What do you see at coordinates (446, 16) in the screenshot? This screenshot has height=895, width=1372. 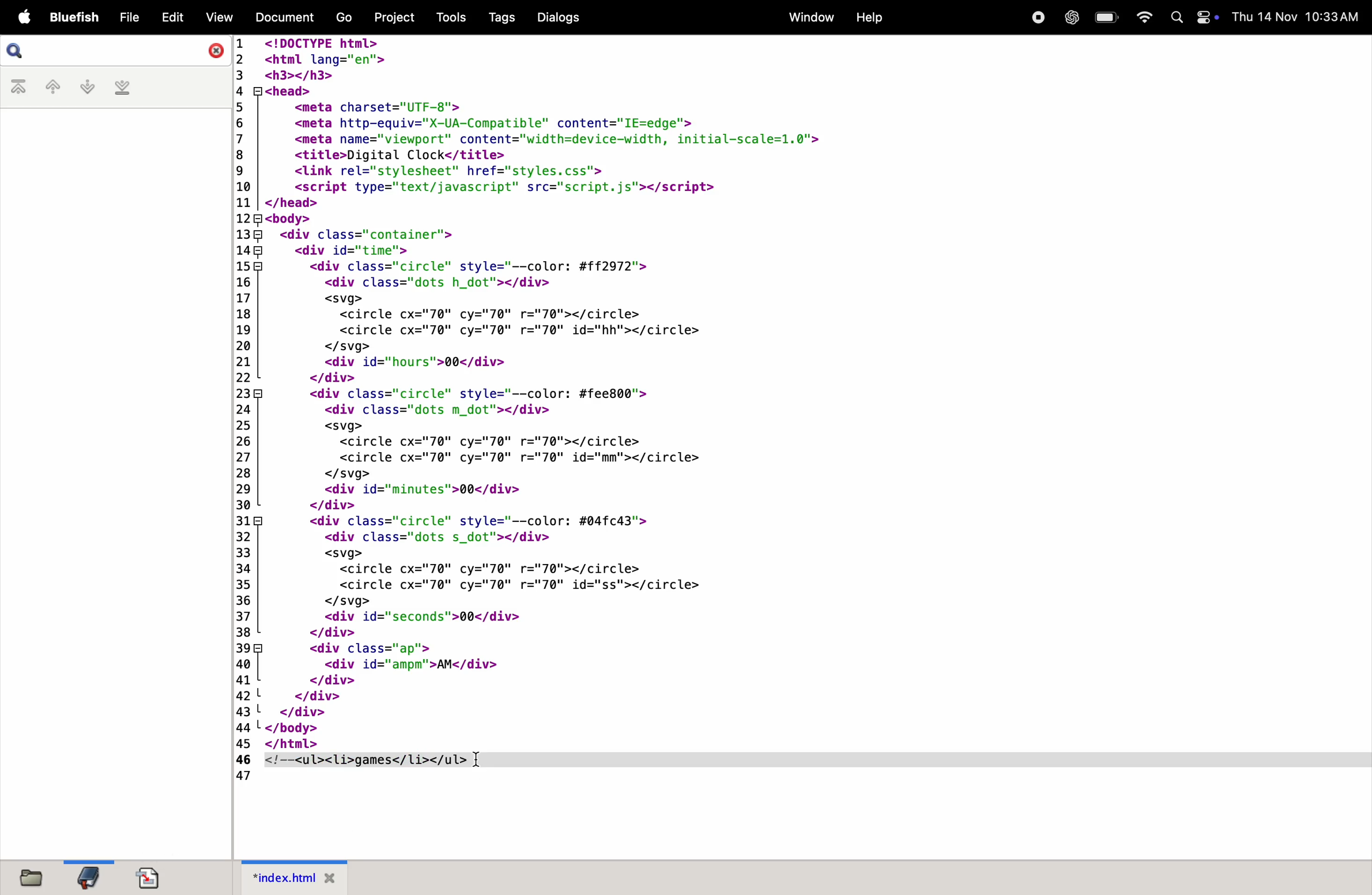 I see `tools` at bounding box center [446, 16].